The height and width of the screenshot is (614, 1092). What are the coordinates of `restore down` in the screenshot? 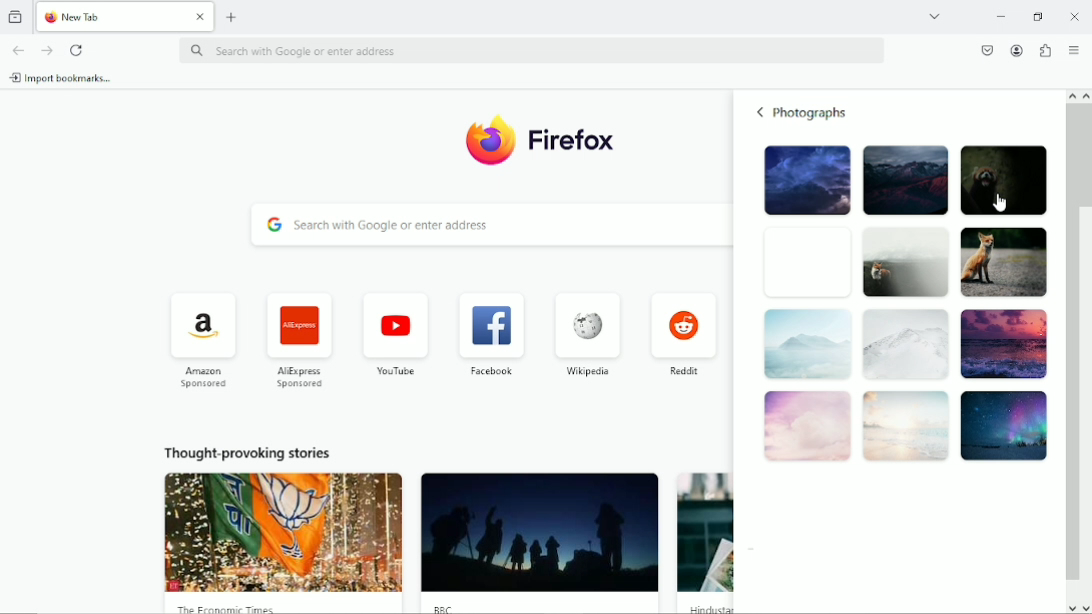 It's located at (1040, 15).